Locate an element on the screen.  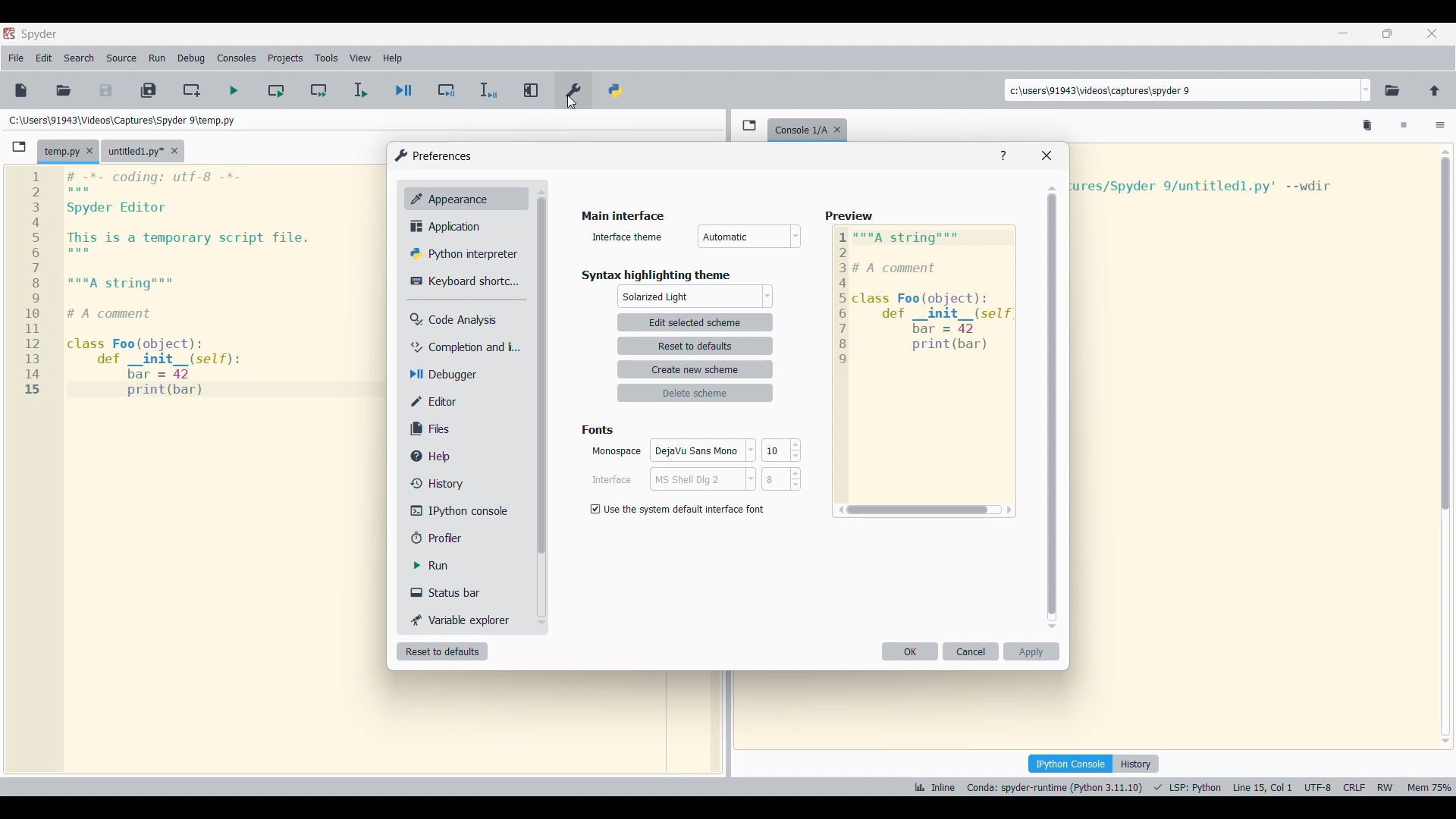
Close tab is located at coordinates (837, 130).